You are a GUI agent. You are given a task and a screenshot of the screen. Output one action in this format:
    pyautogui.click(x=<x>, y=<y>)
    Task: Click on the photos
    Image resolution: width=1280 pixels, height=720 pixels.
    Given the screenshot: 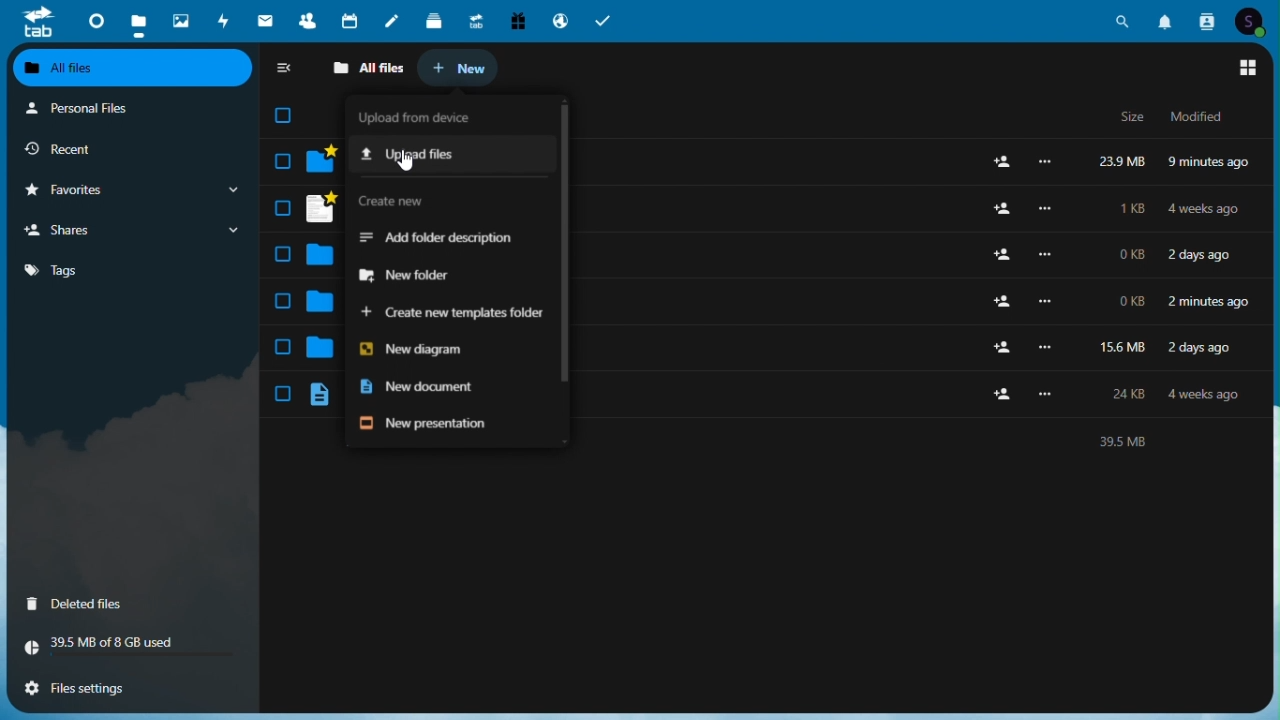 What is the action you would take?
    pyautogui.click(x=180, y=19)
    